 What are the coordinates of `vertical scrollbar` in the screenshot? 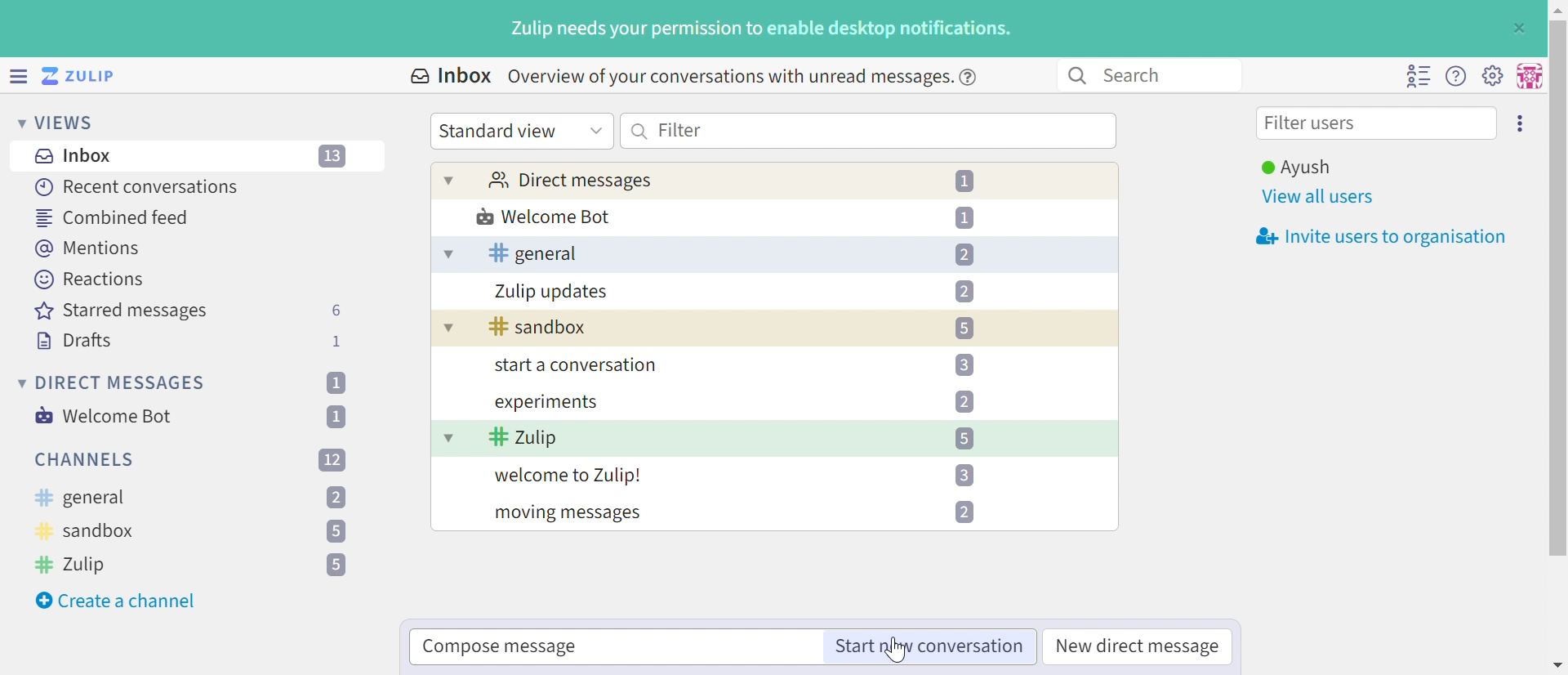 It's located at (1558, 288).